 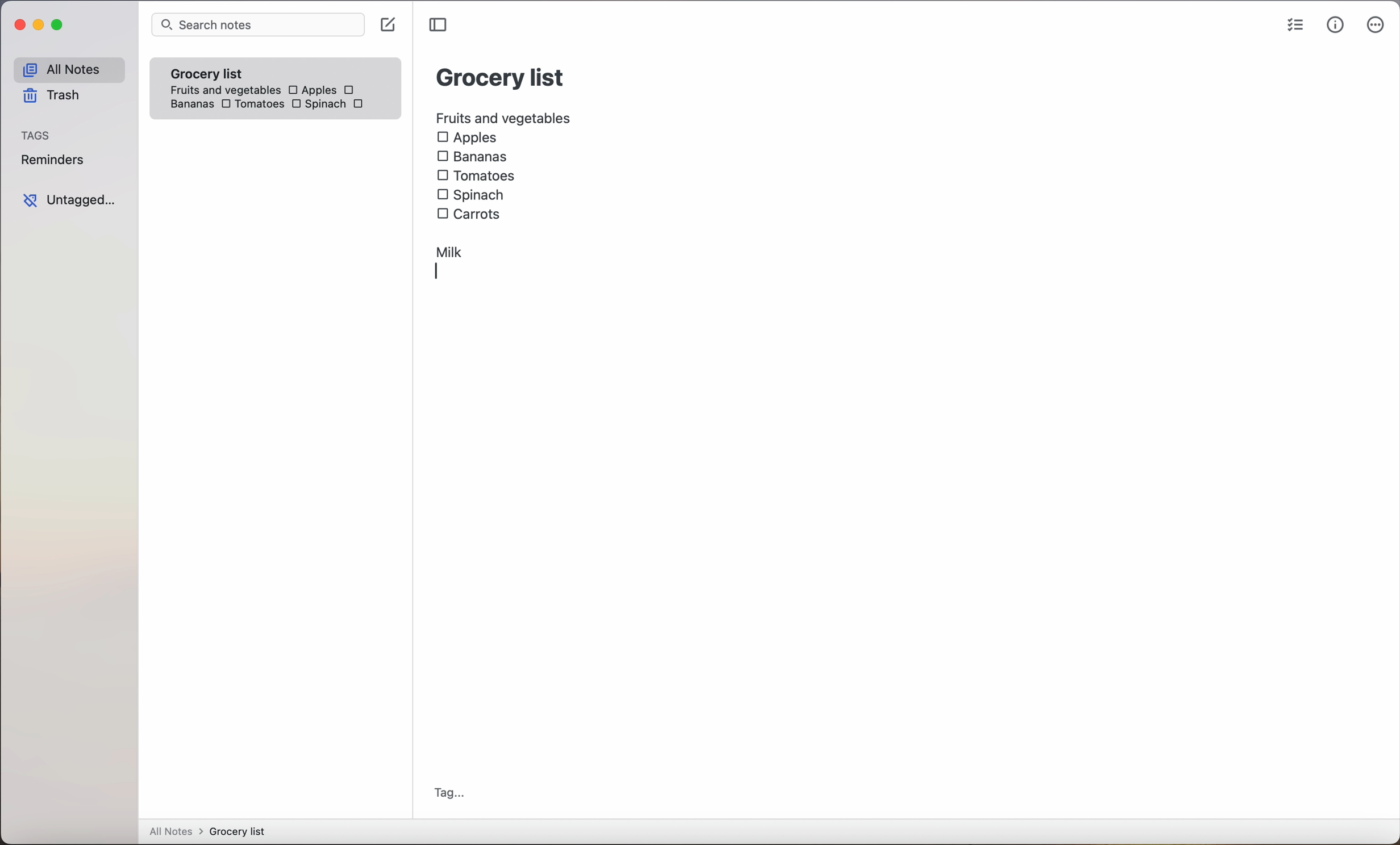 I want to click on carrots, so click(x=361, y=104).